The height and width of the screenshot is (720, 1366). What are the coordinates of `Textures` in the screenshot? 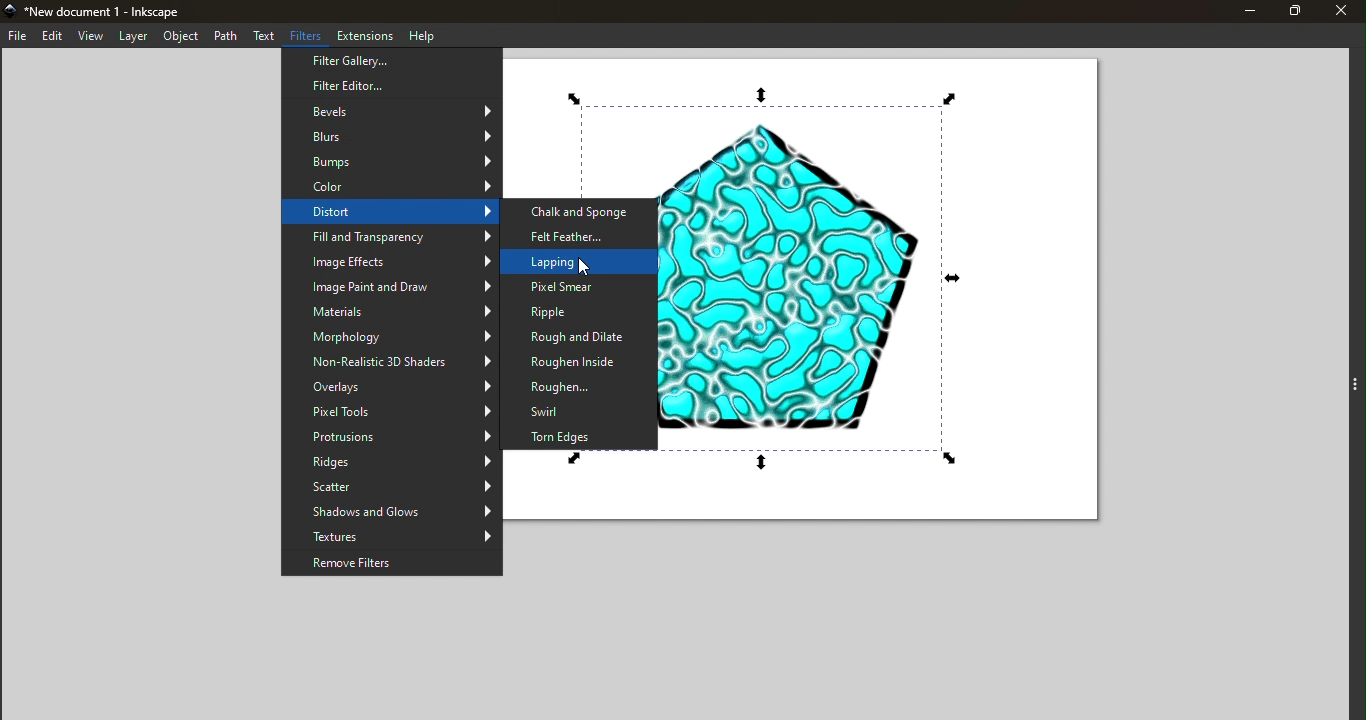 It's located at (392, 537).